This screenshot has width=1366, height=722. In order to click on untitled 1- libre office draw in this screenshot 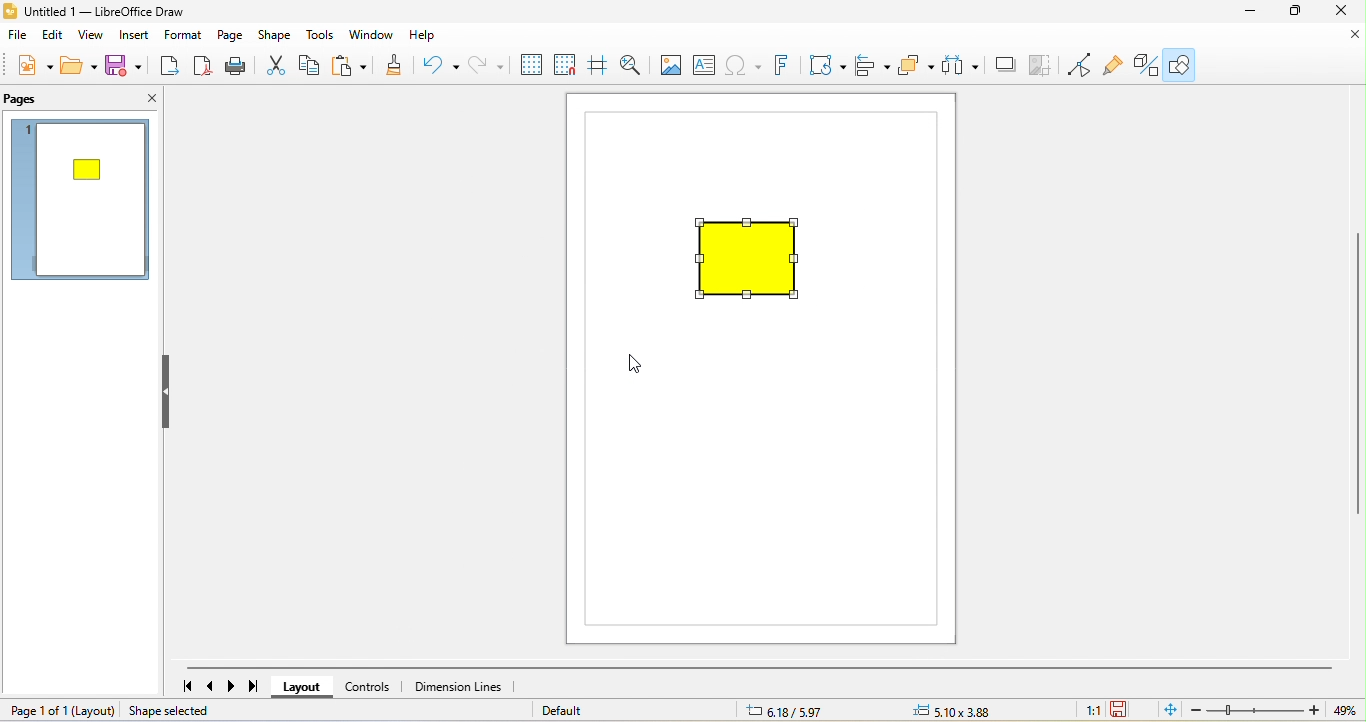, I will do `click(120, 11)`.